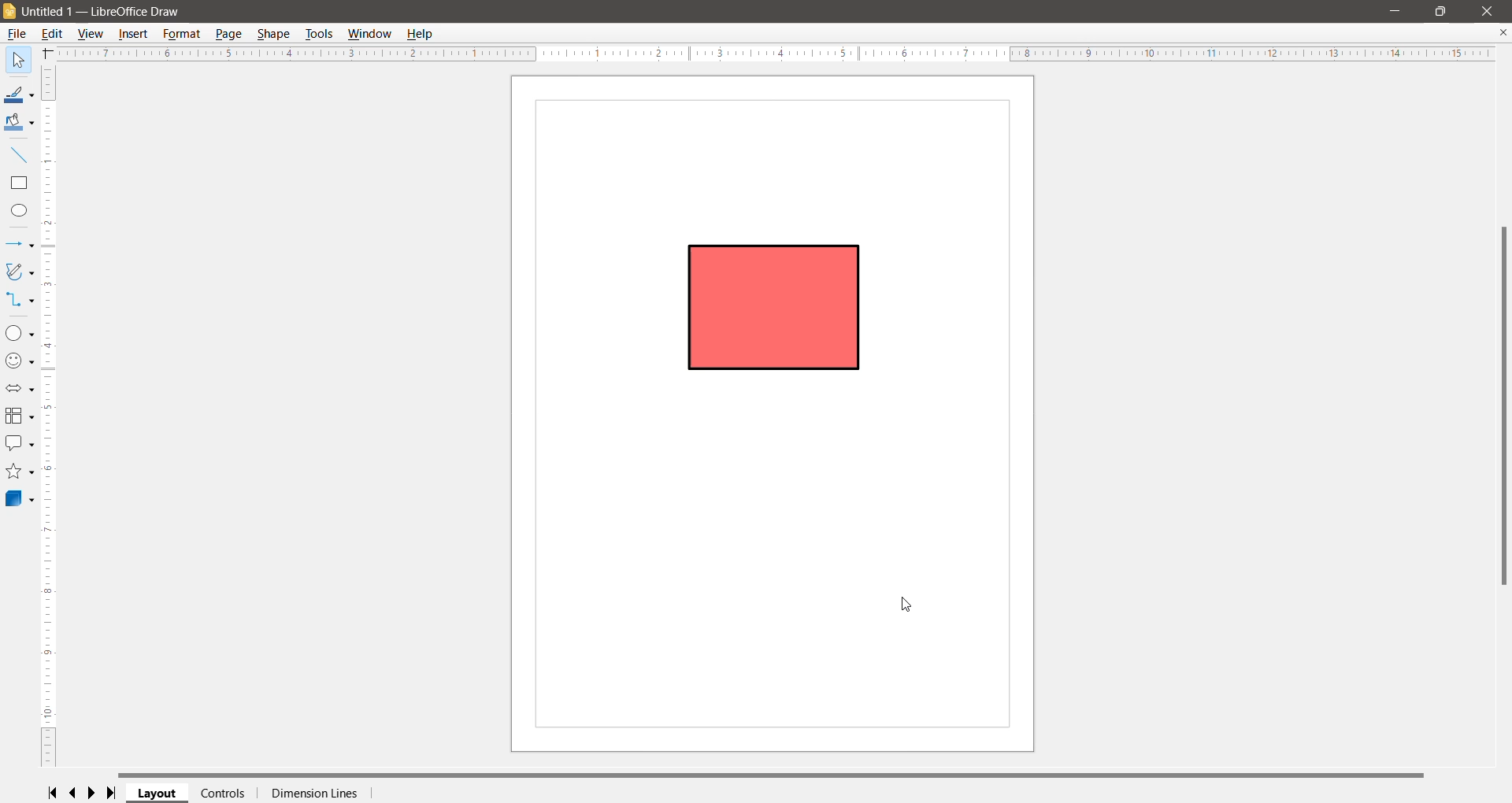 The height and width of the screenshot is (803, 1512). What do you see at coordinates (314, 794) in the screenshot?
I see `Dimension Lines` at bounding box center [314, 794].